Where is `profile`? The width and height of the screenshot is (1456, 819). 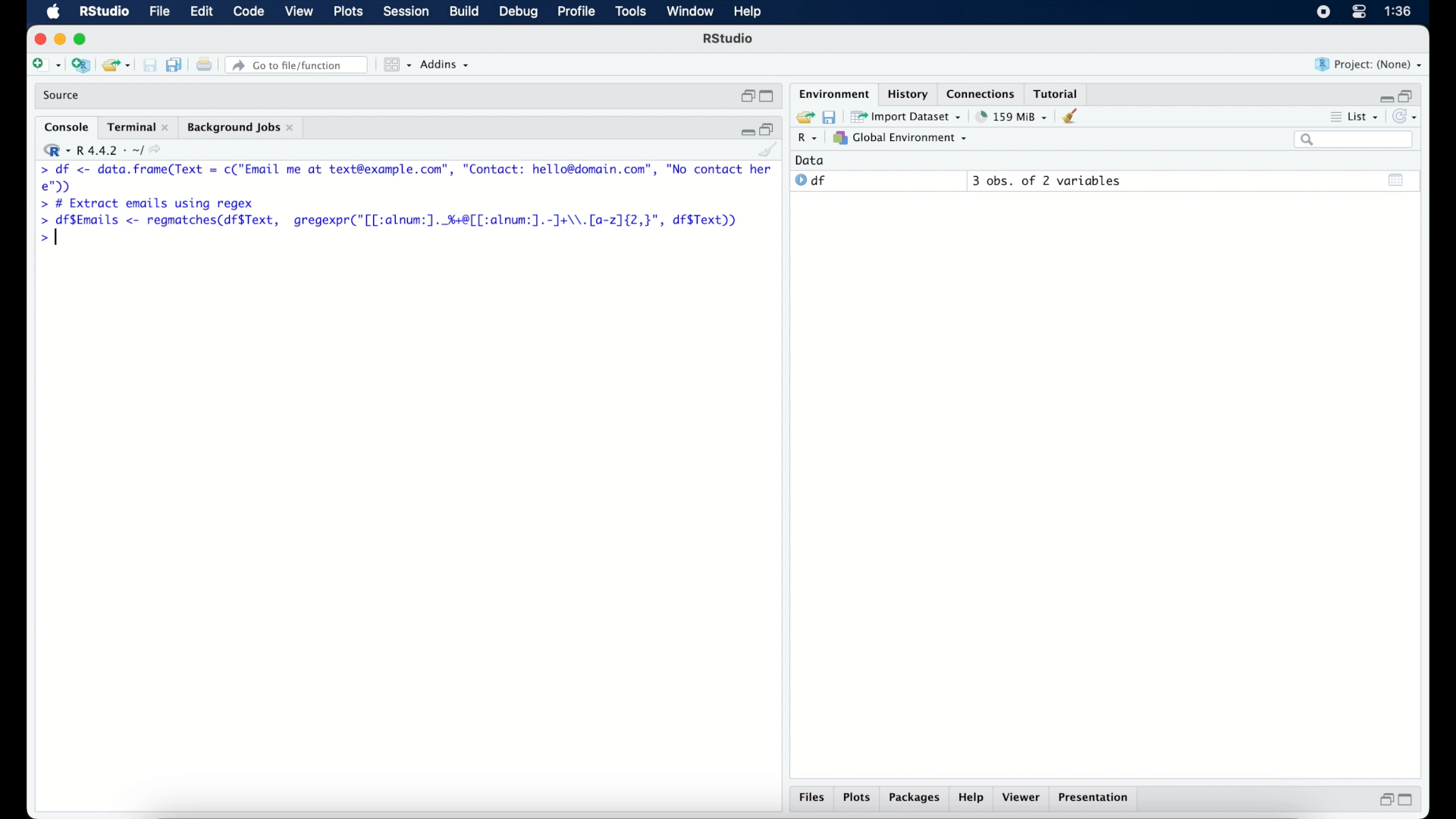
profile is located at coordinates (576, 12).